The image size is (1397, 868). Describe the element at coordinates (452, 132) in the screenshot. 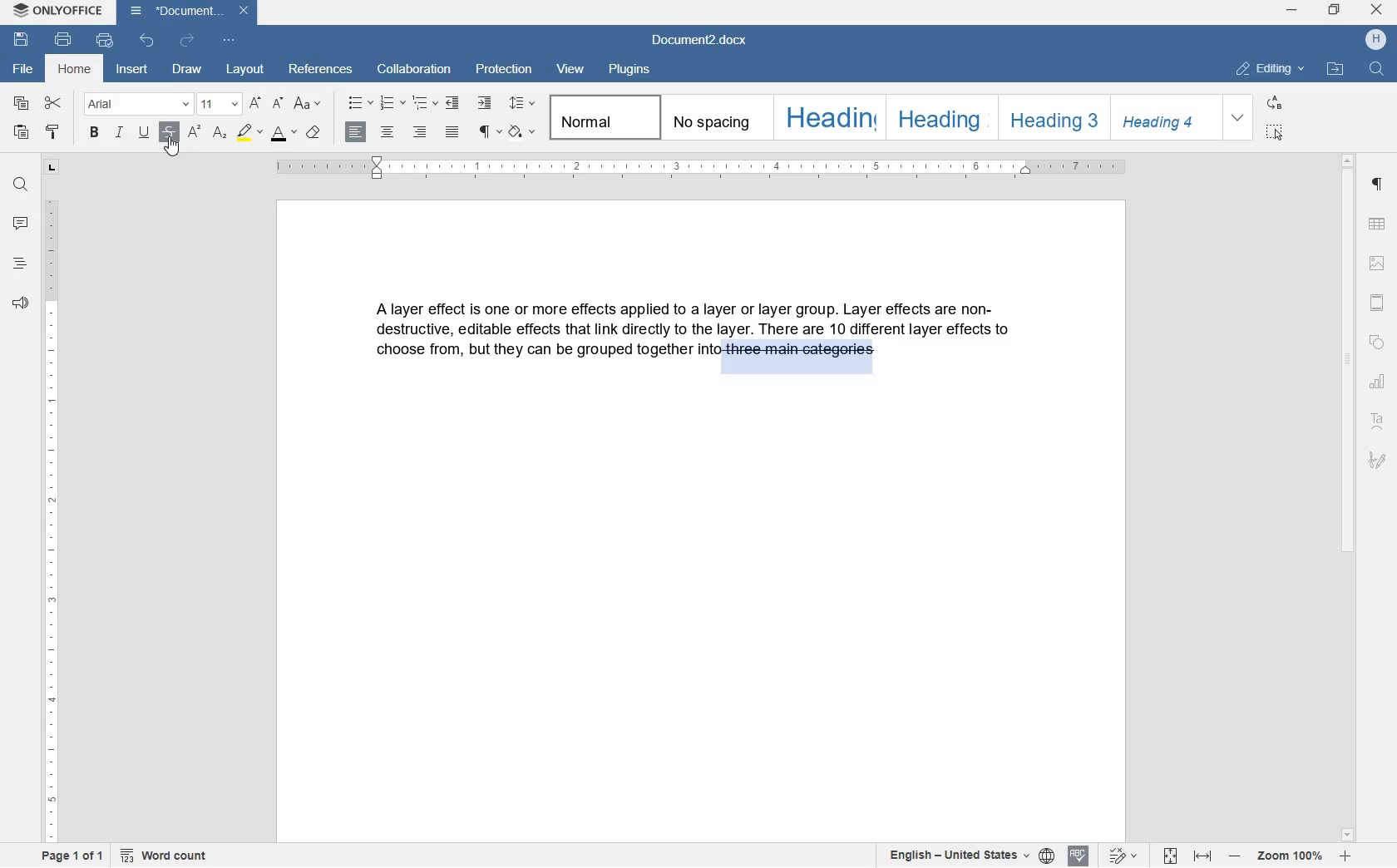

I see `justified` at that location.